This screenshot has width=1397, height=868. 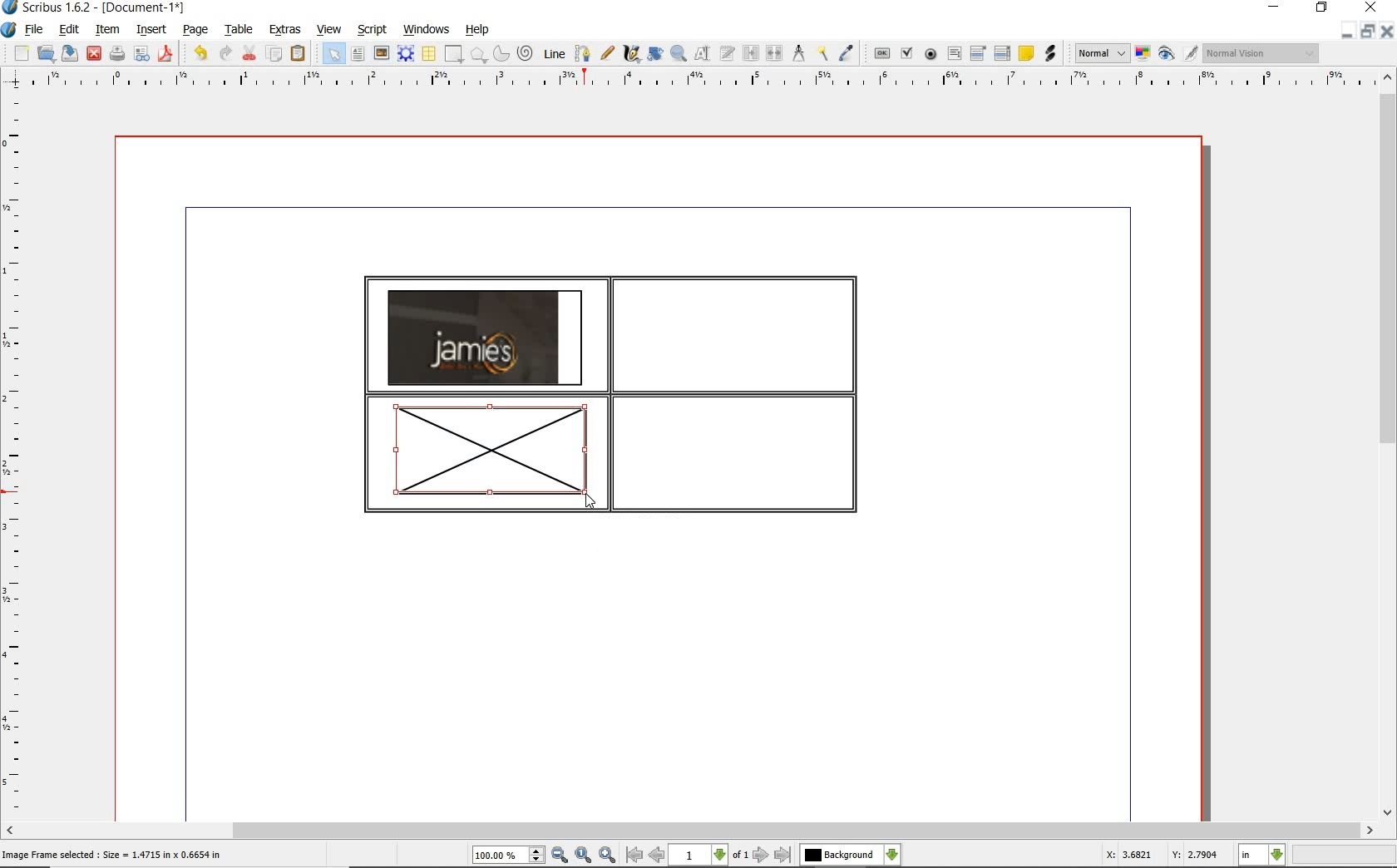 What do you see at coordinates (656, 856) in the screenshot?
I see `go to previous page` at bounding box center [656, 856].